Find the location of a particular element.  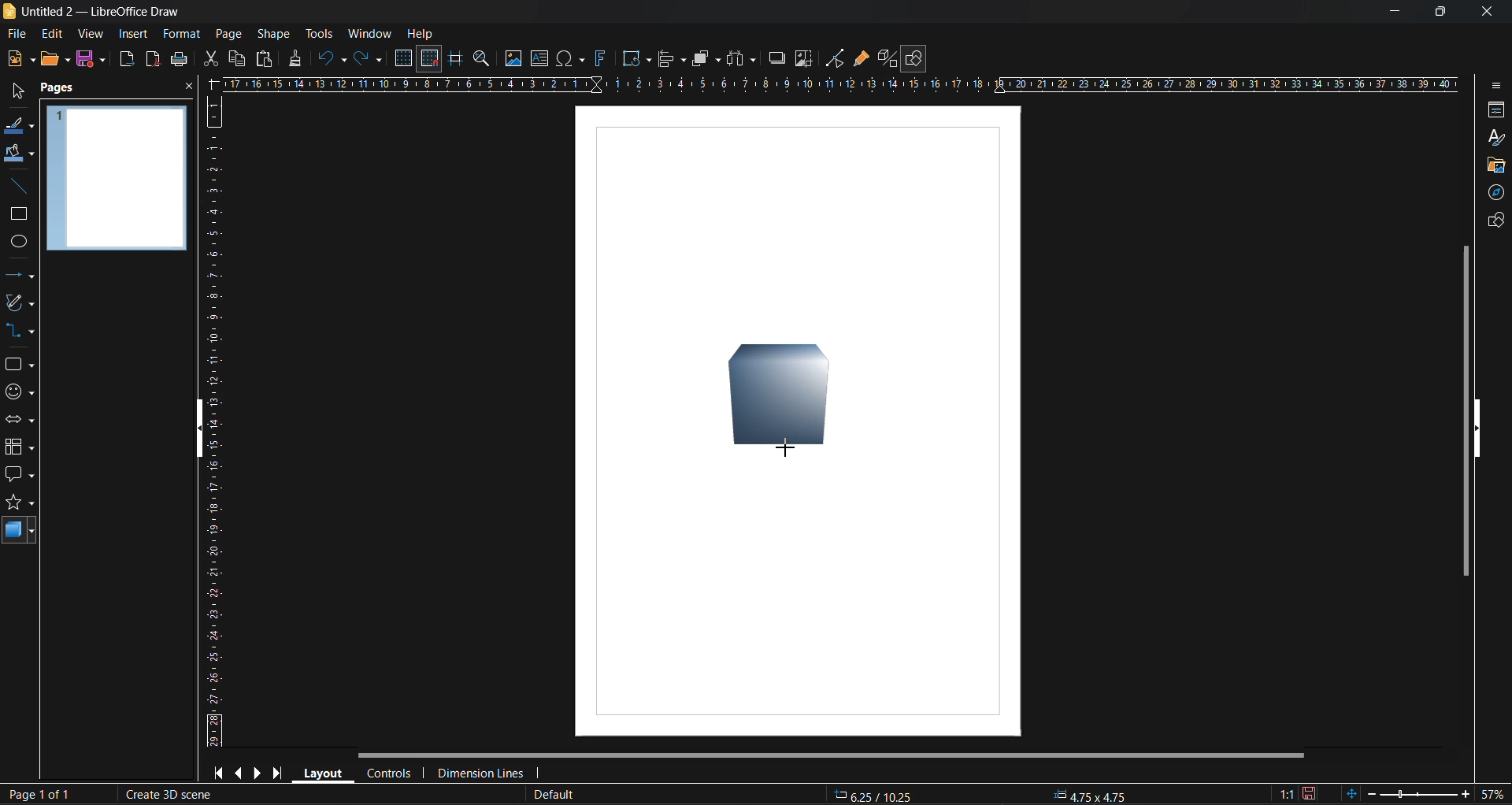

paste is located at coordinates (262, 61).